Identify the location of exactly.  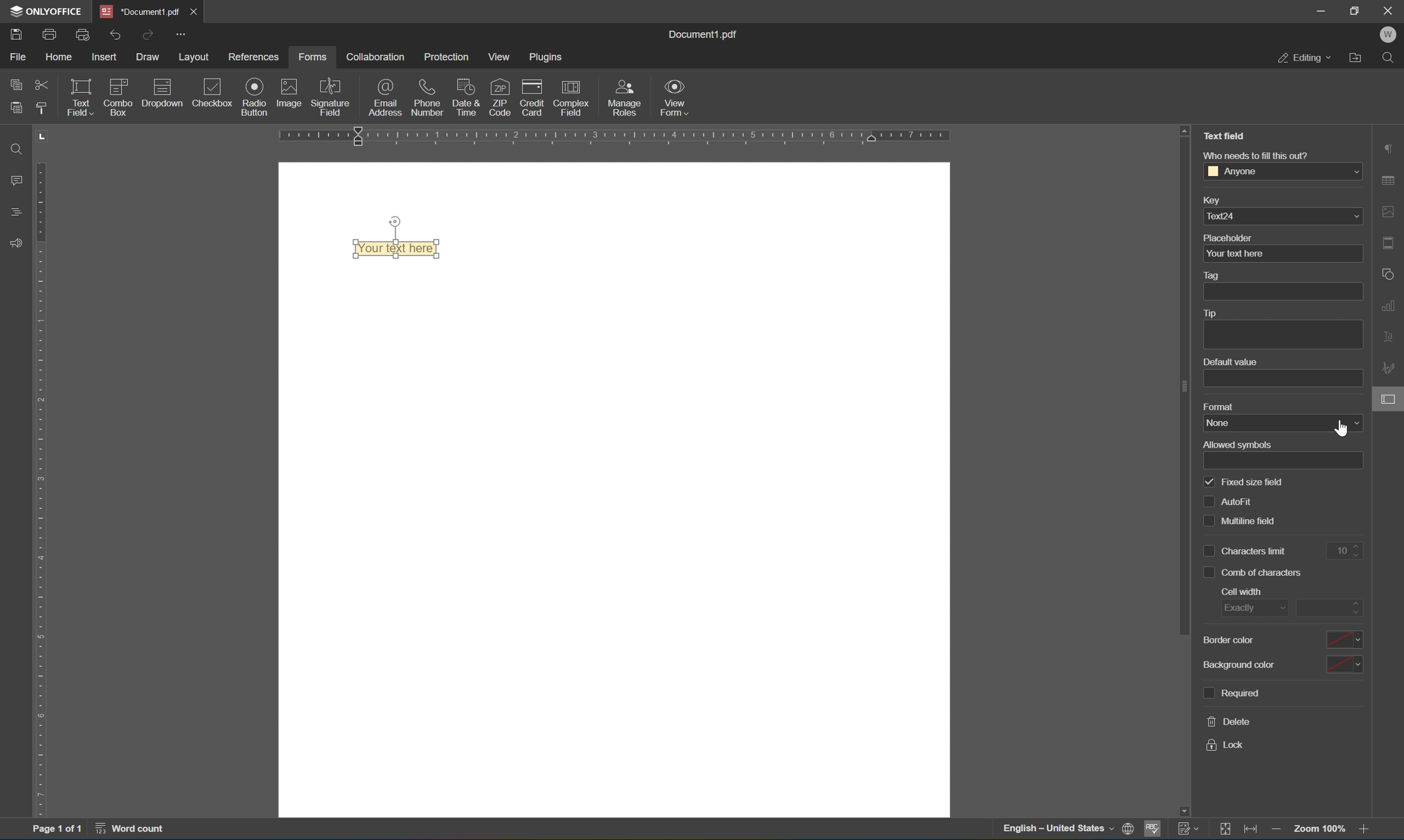
(1251, 609).